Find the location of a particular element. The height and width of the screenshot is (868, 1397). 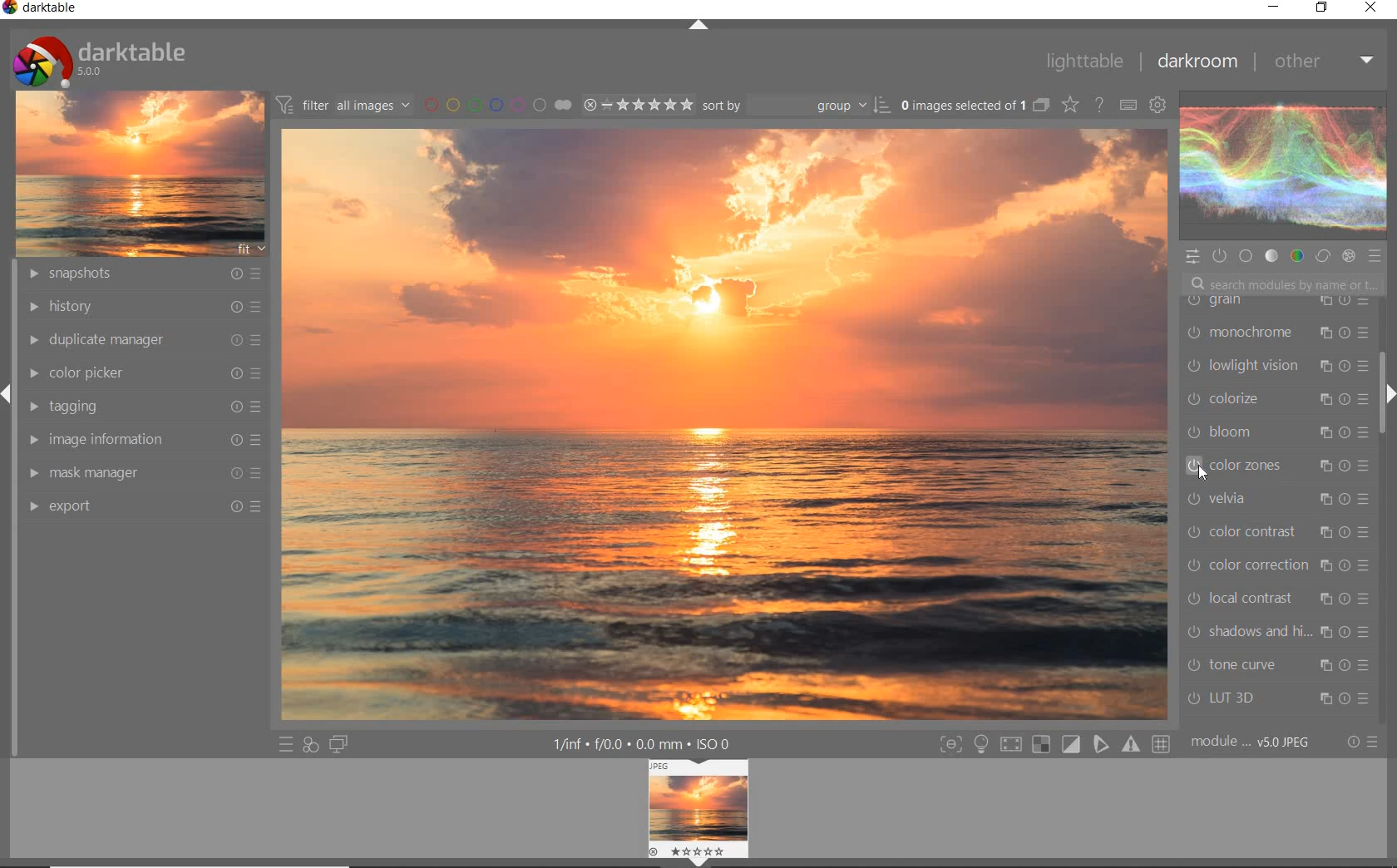

close is located at coordinates (1374, 9).